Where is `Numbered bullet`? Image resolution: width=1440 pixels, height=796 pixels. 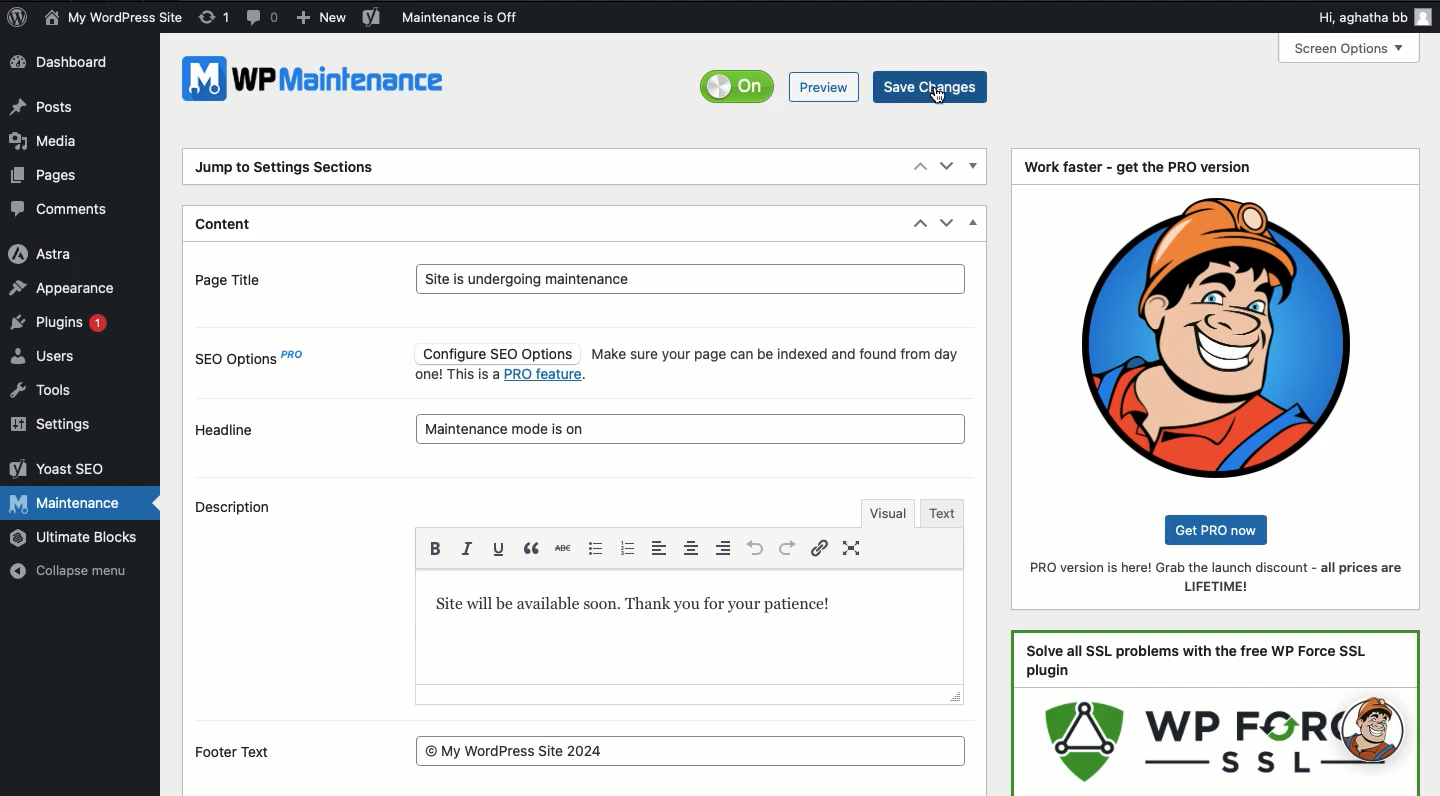 Numbered bullet is located at coordinates (626, 550).